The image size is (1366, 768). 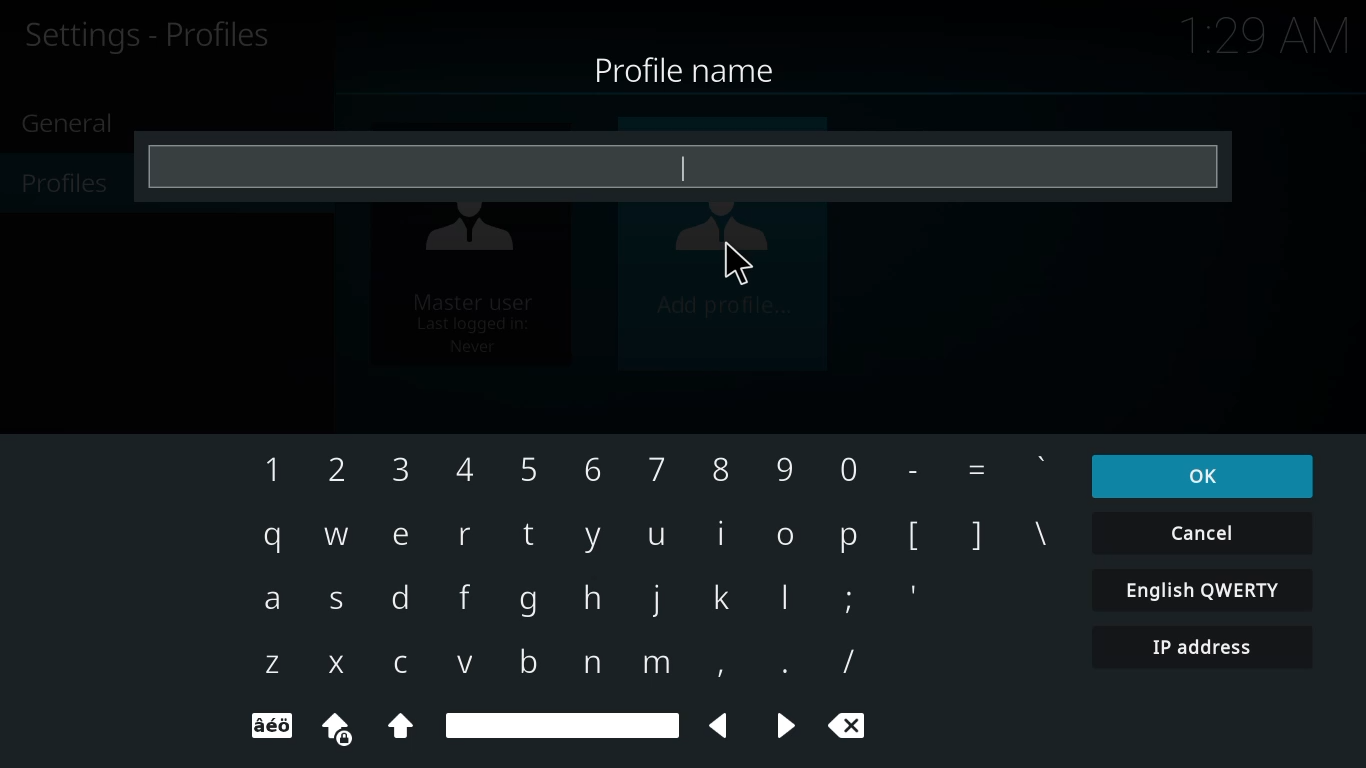 I want to click on profiles, so click(x=155, y=36).